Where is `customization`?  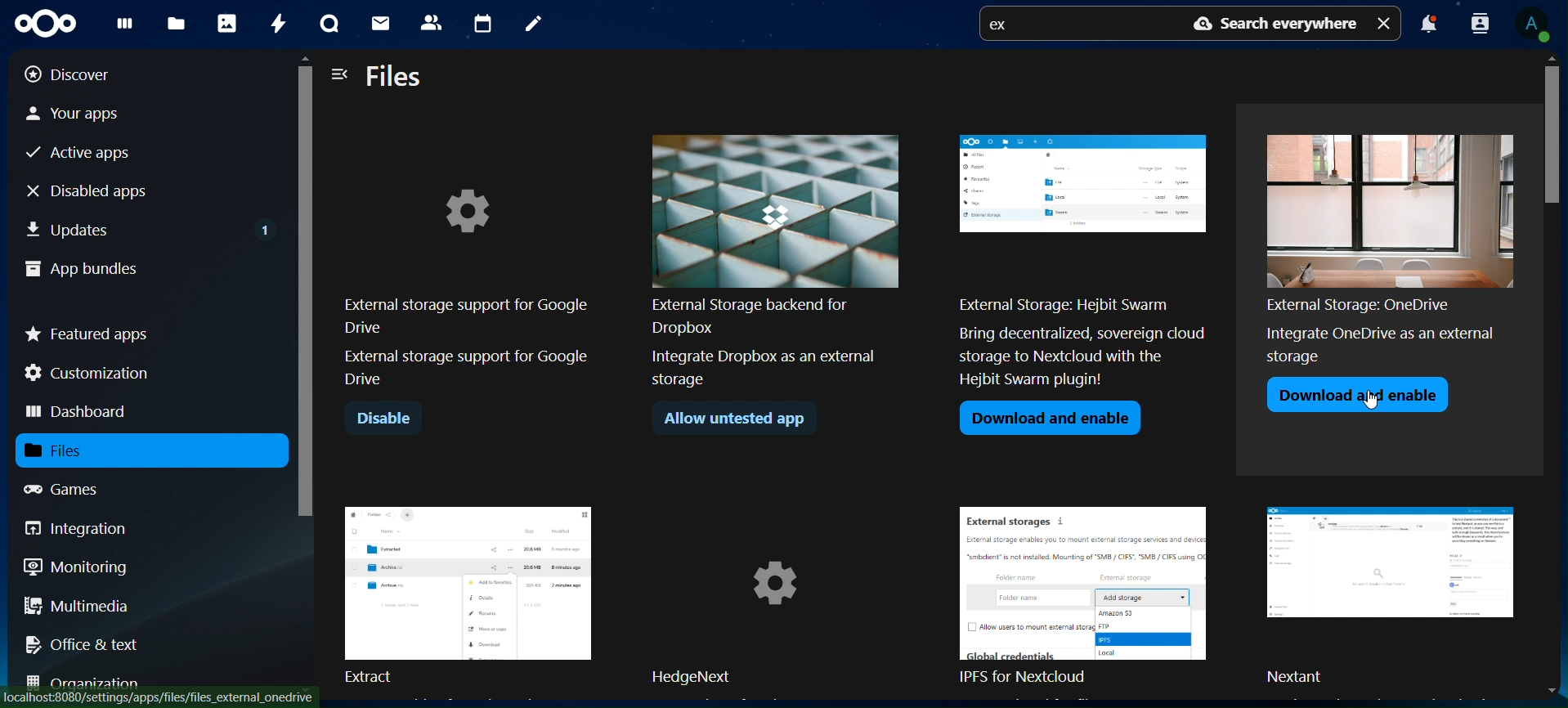
customization is located at coordinates (91, 373).